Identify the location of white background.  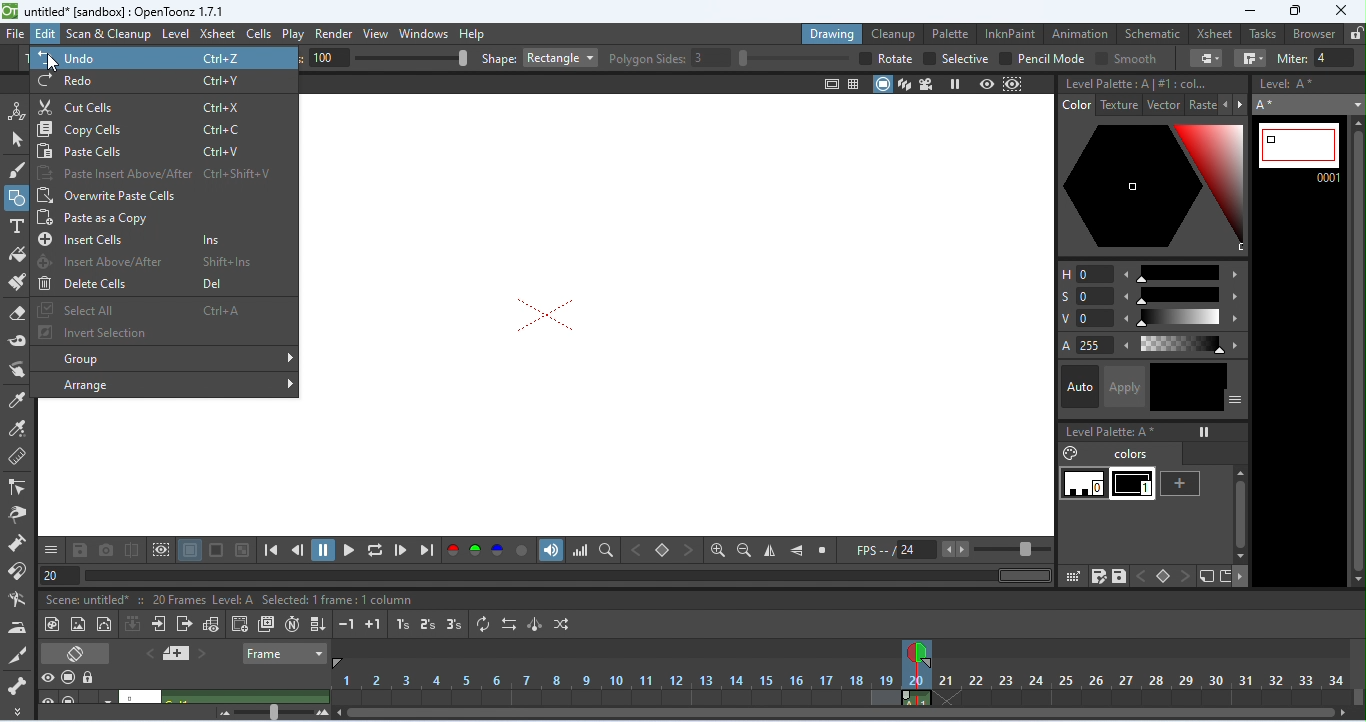
(189, 550).